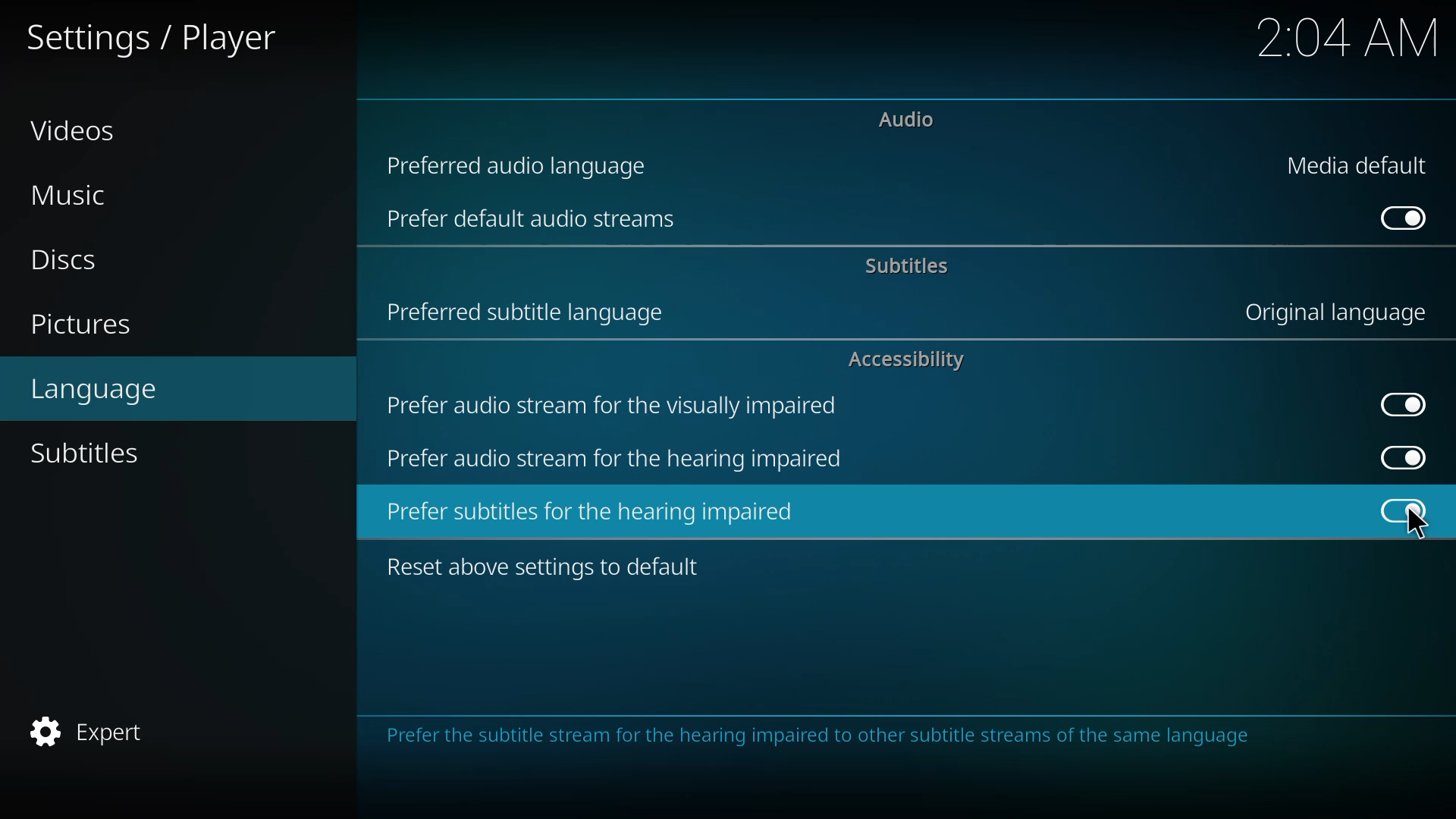 The width and height of the screenshot is (1456, 819). What do you see at coordinates (1398, 454) in the screenshot?
I see `enabled` at bounding box center [1398, 454].